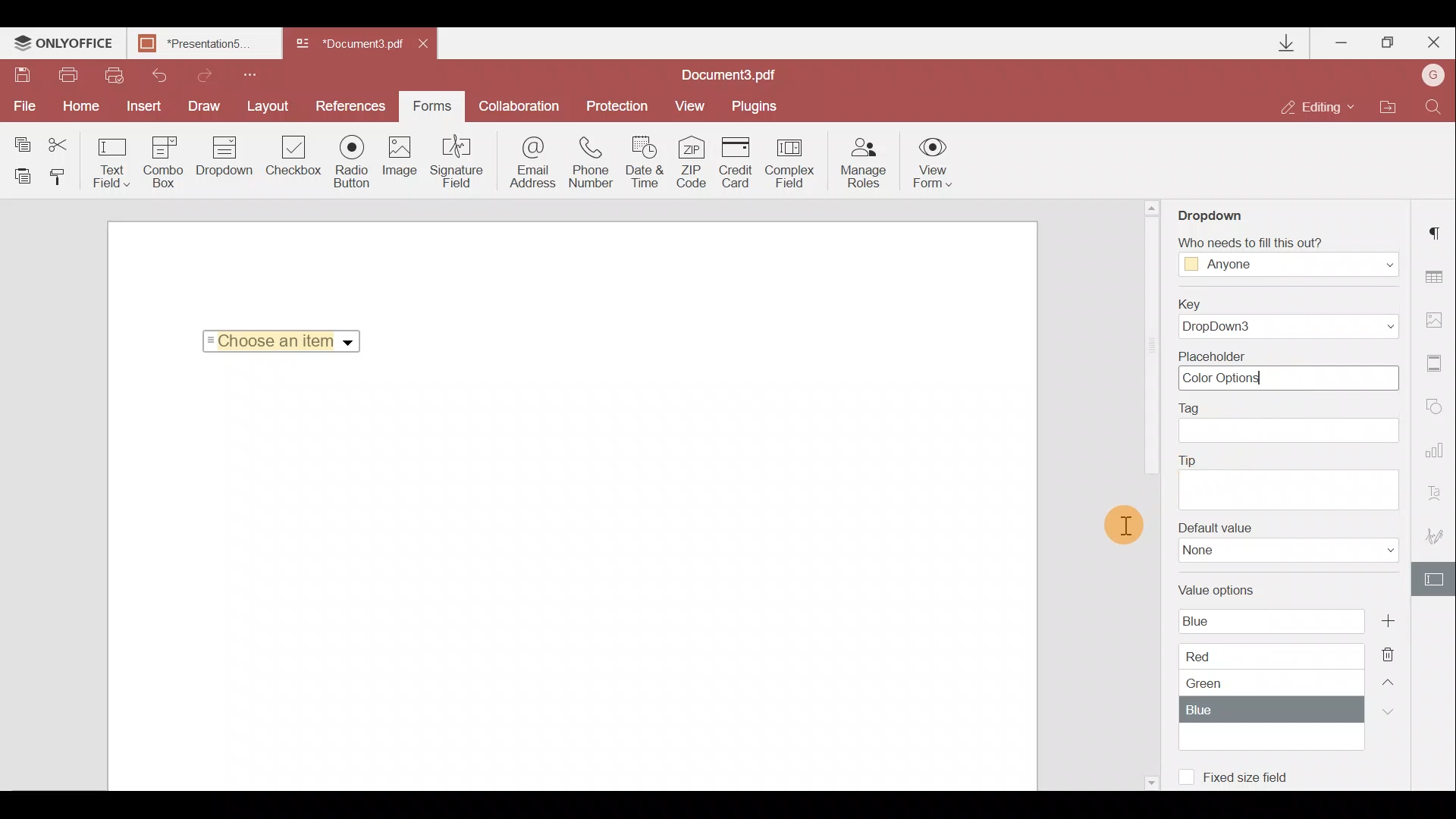 This screenshot has width=1456, height=819. I want to click on Open file location, so click(1389, 106).